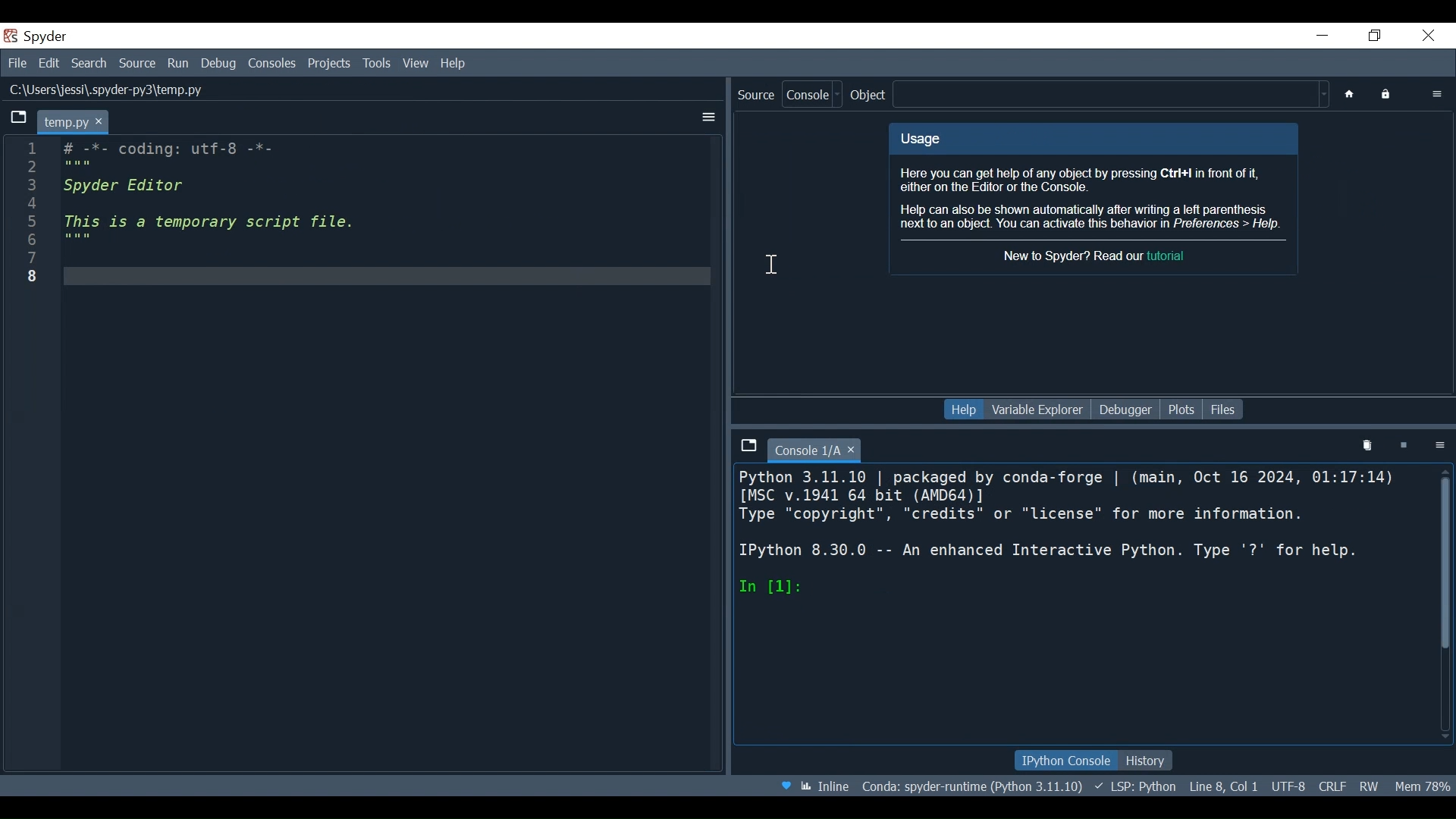 This screenshot has width=1456, height=819. Describe the element at coordinates (9, 36) in the screenshot. I see `Spyder Desktop Icon` at that location.